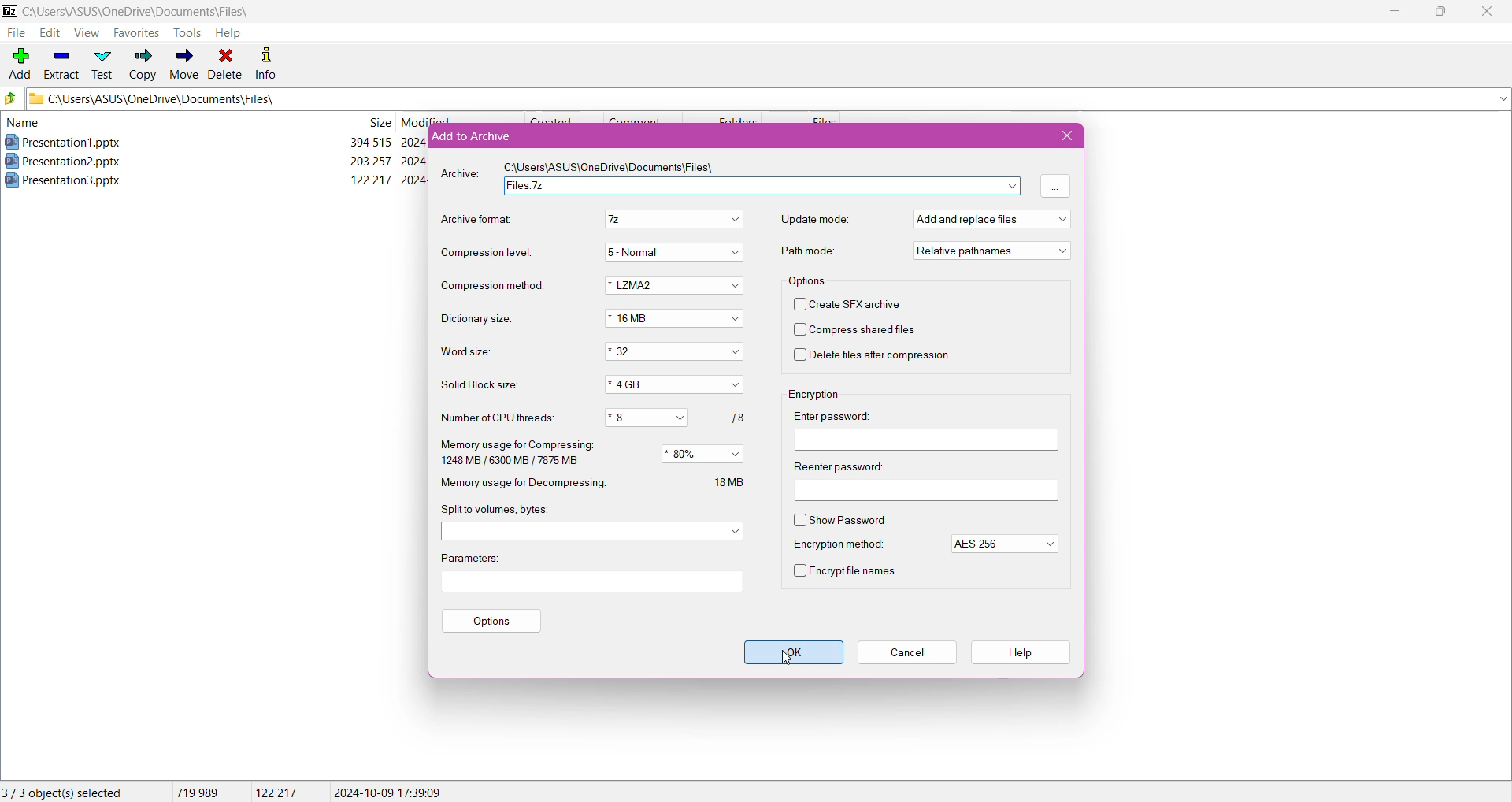 Image resolution: width=1512 pixels, height=802 pixels. What do you see at coordinates (135, 34) in the screenshot?
I see `Favorites` at bounding box center [135, 34].